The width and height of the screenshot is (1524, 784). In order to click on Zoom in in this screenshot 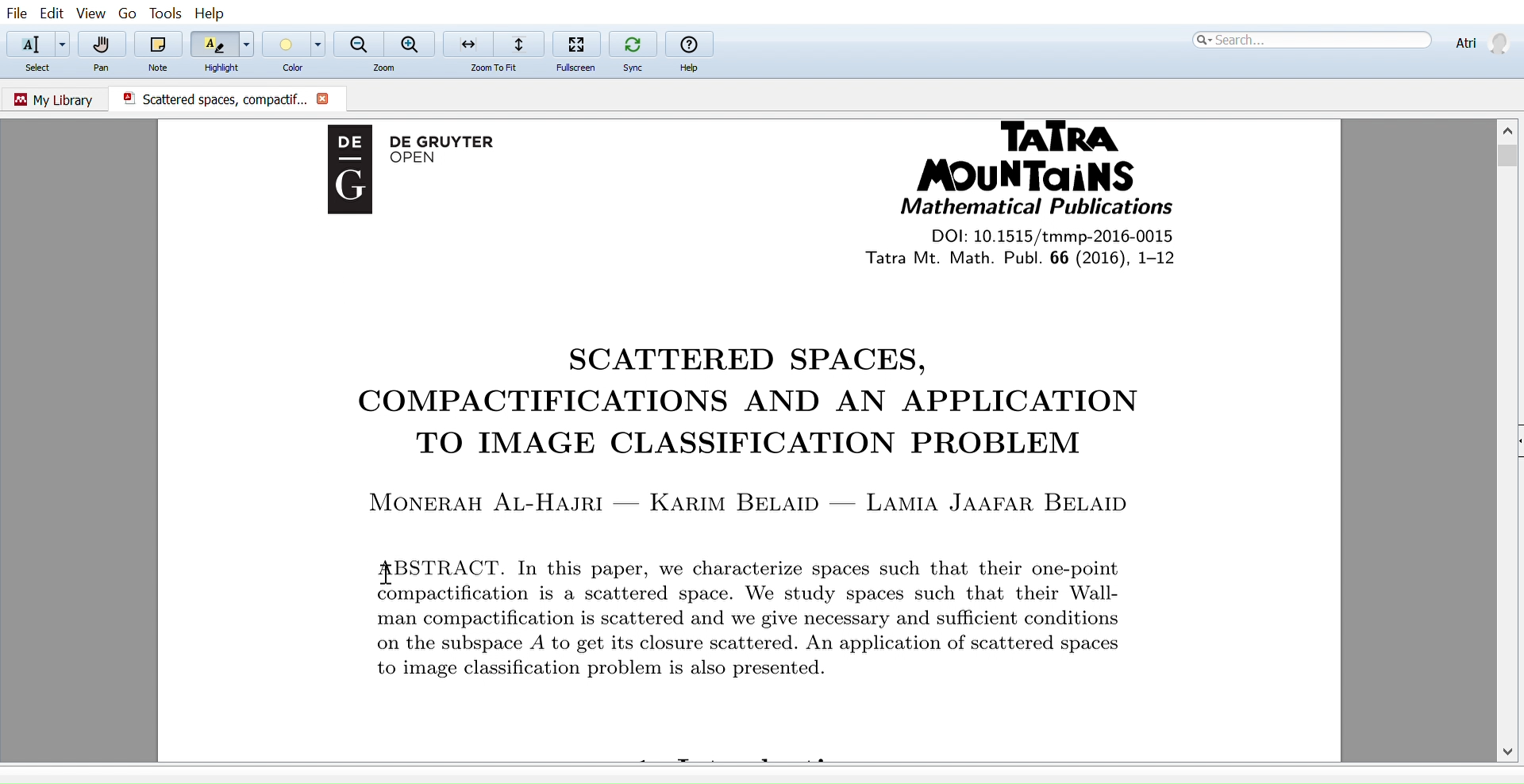, I will do `click(411, 44)`.